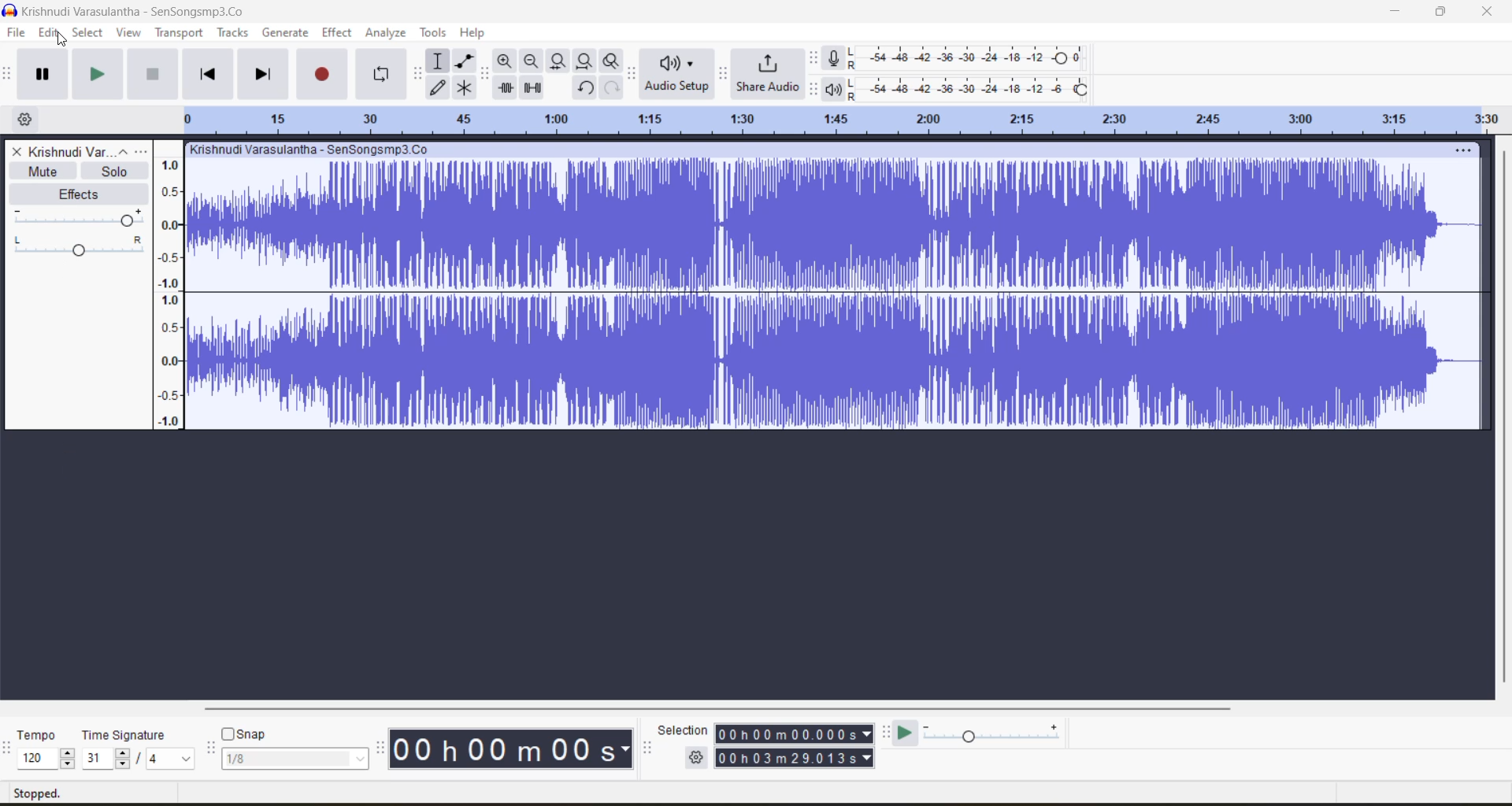 Image resolution: width=1512 pixels, height=806 pixels. I want to click on snap, so click(294, 747).